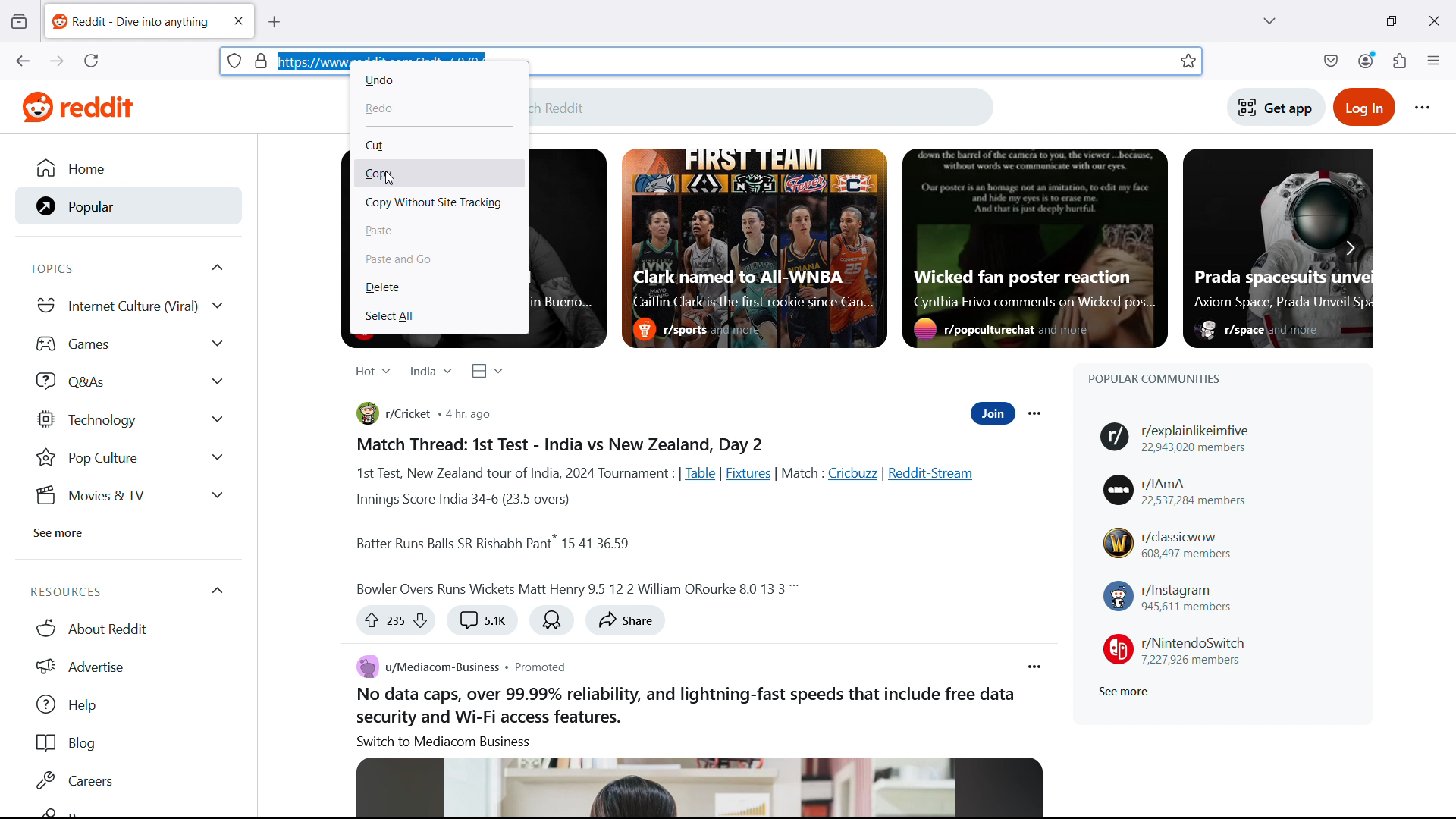 The image size is (1456, 819). What do you see at coordinates (131, 268) in the screenshot?
I see `Topics` at bounding box center [131, 268].